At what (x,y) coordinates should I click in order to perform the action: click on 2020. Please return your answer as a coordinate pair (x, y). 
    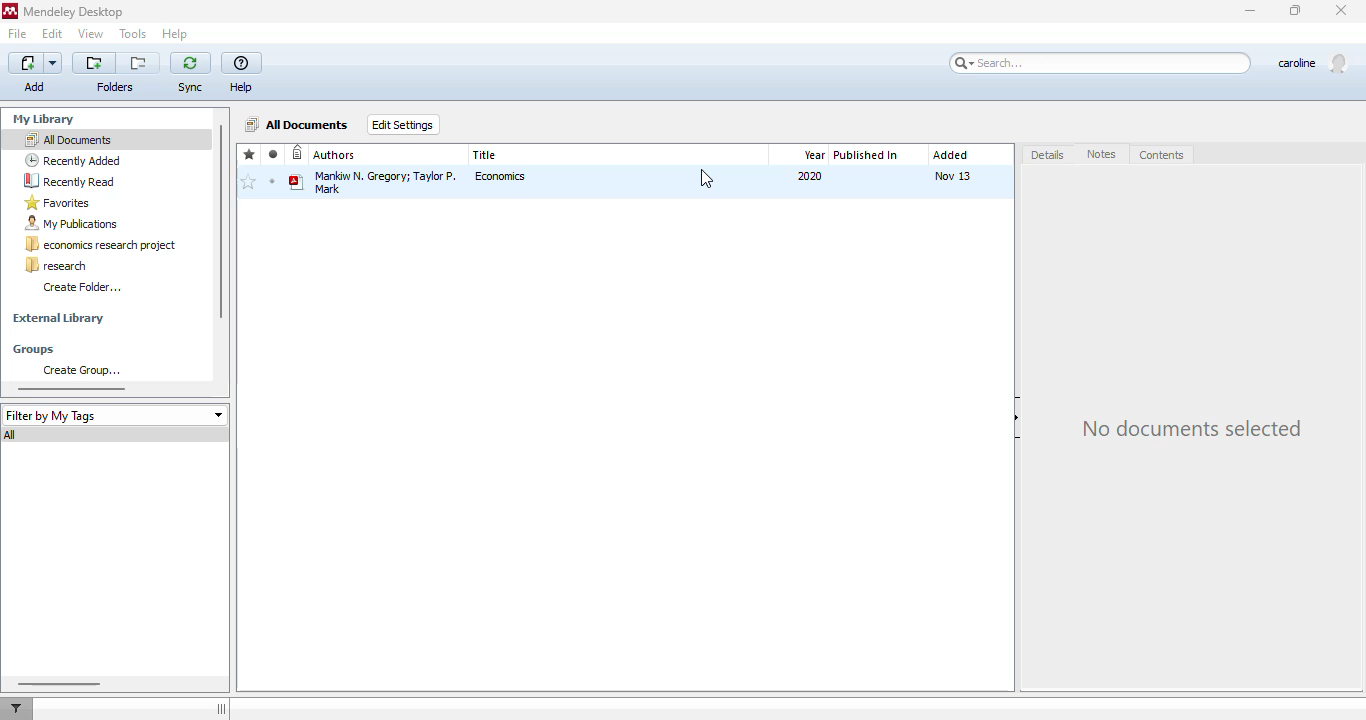
    Looking at the image, I should click on (810, 176).